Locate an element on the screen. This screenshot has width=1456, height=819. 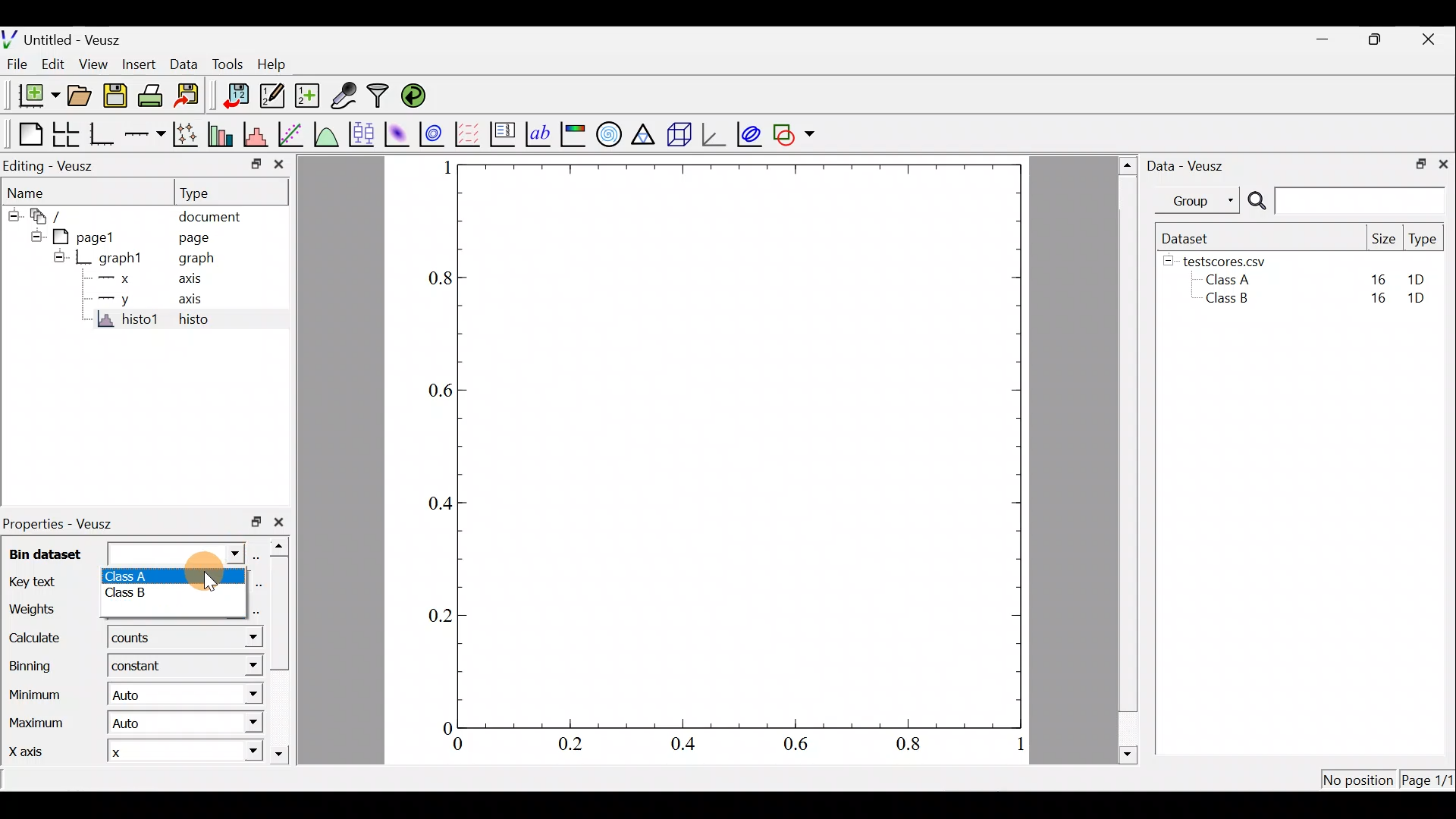
0 is located at coordinates (460, 745).